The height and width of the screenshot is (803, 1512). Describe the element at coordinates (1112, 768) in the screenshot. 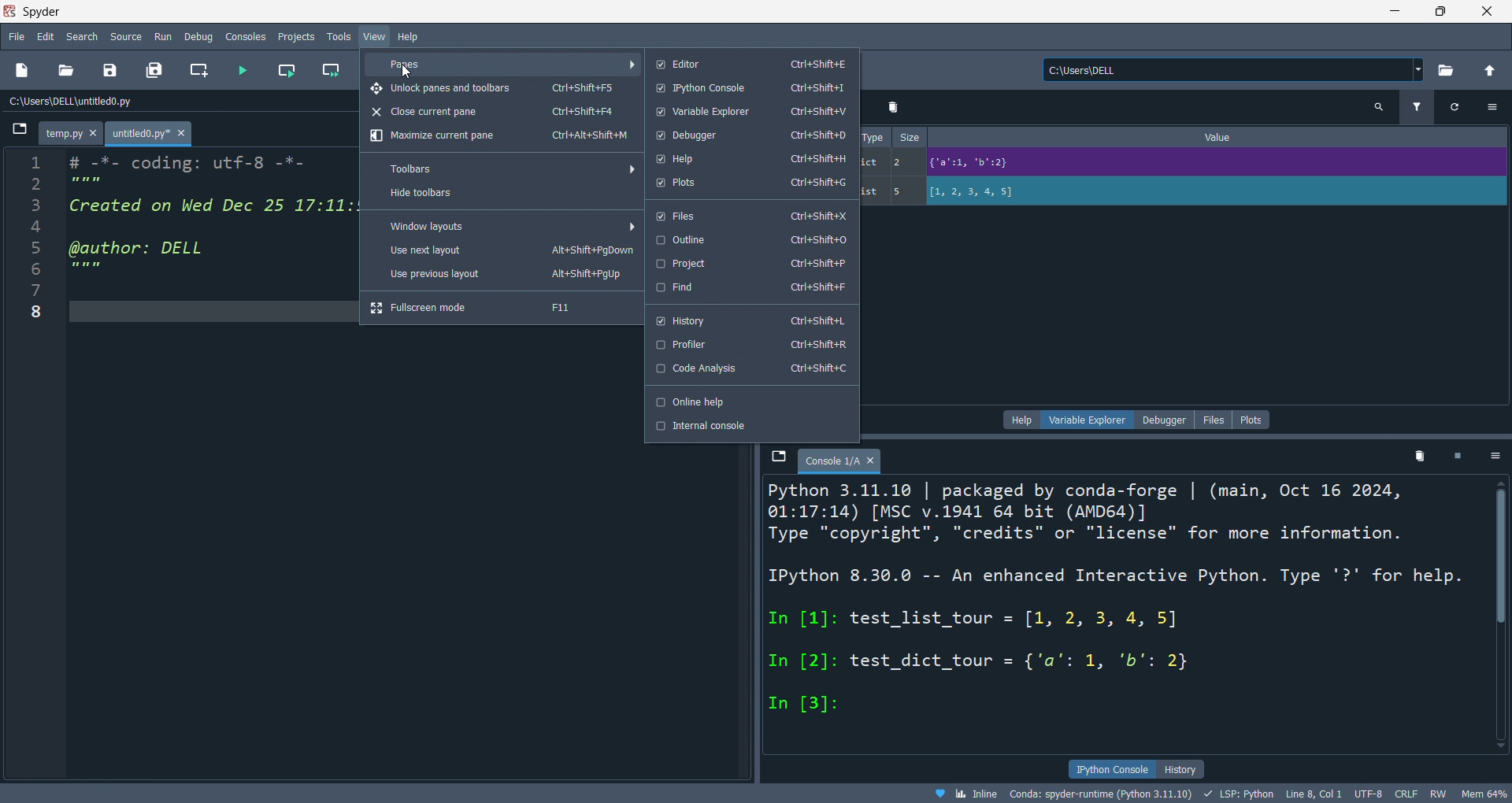

I see `ipython console` at that location.